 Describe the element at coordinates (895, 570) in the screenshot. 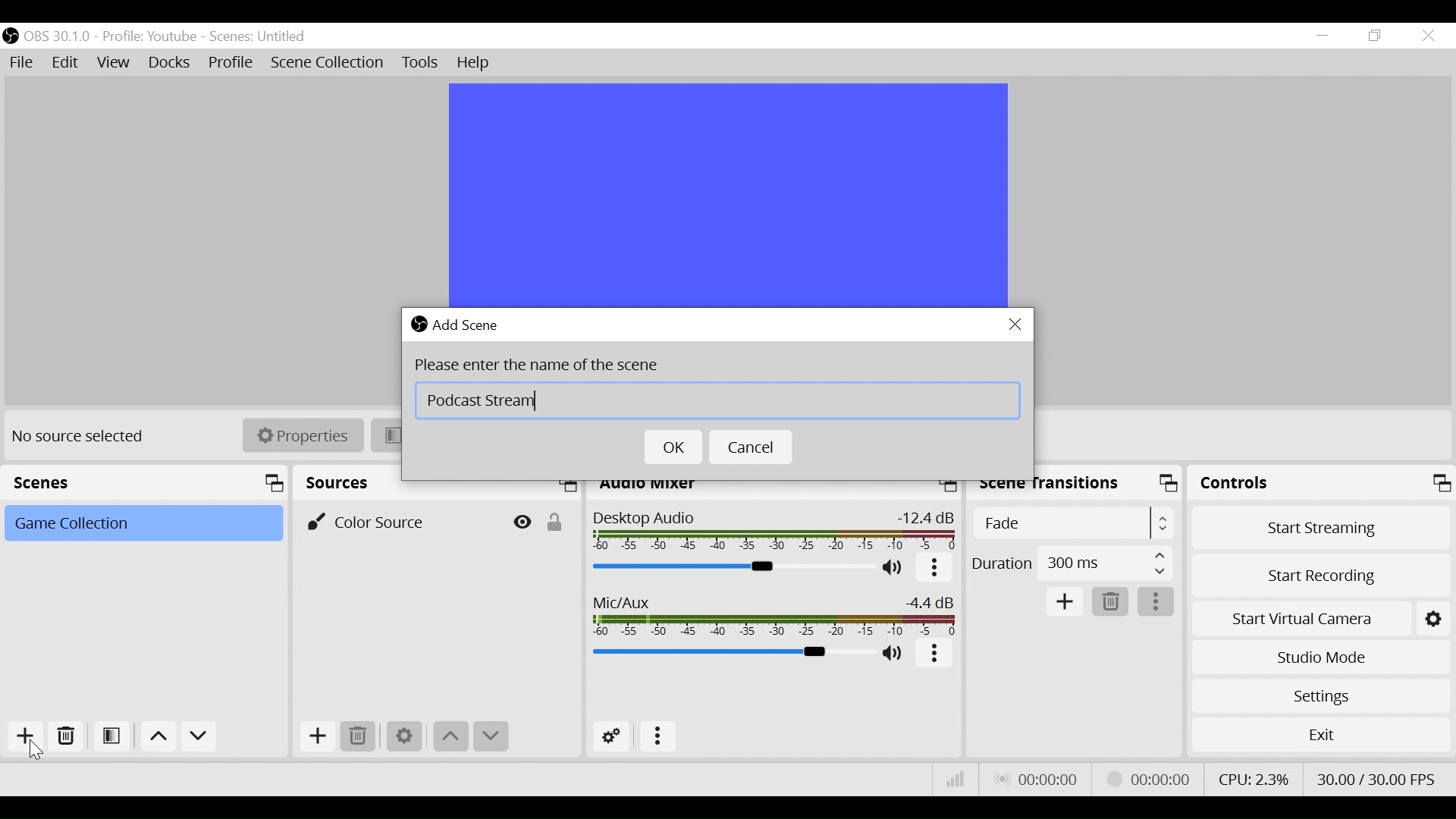

I see `(un)mute` at that location.